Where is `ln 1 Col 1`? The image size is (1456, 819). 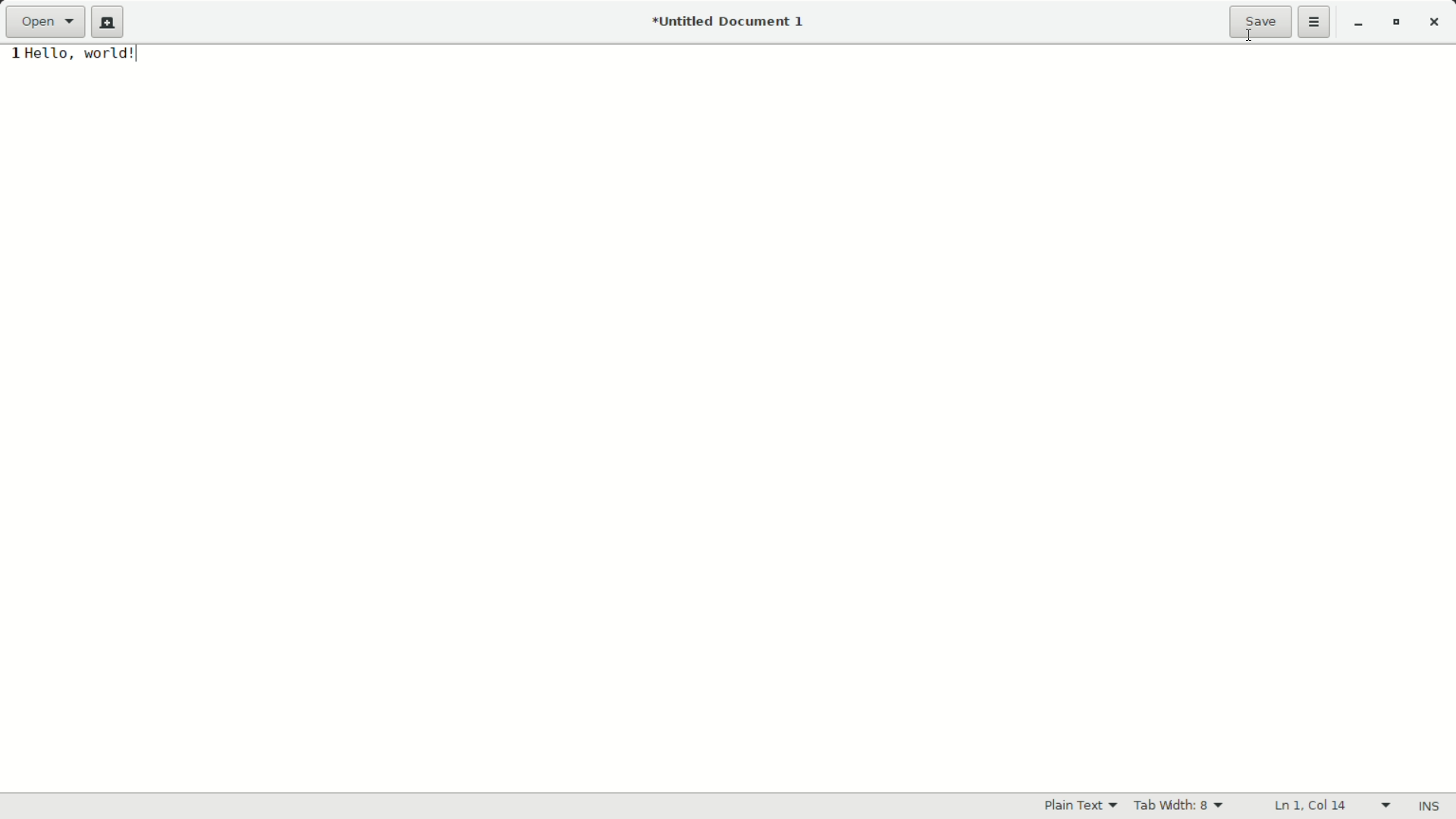 ln 1 Col 1 is located at coordinates (1332, 804).